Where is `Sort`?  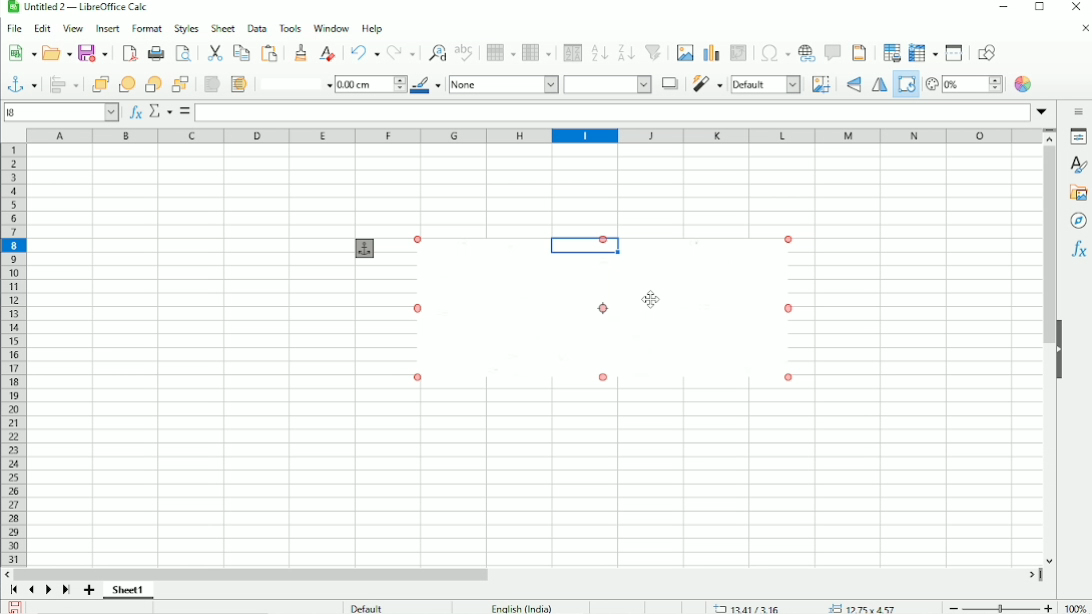 Sort is located at coordinates (572, 53).